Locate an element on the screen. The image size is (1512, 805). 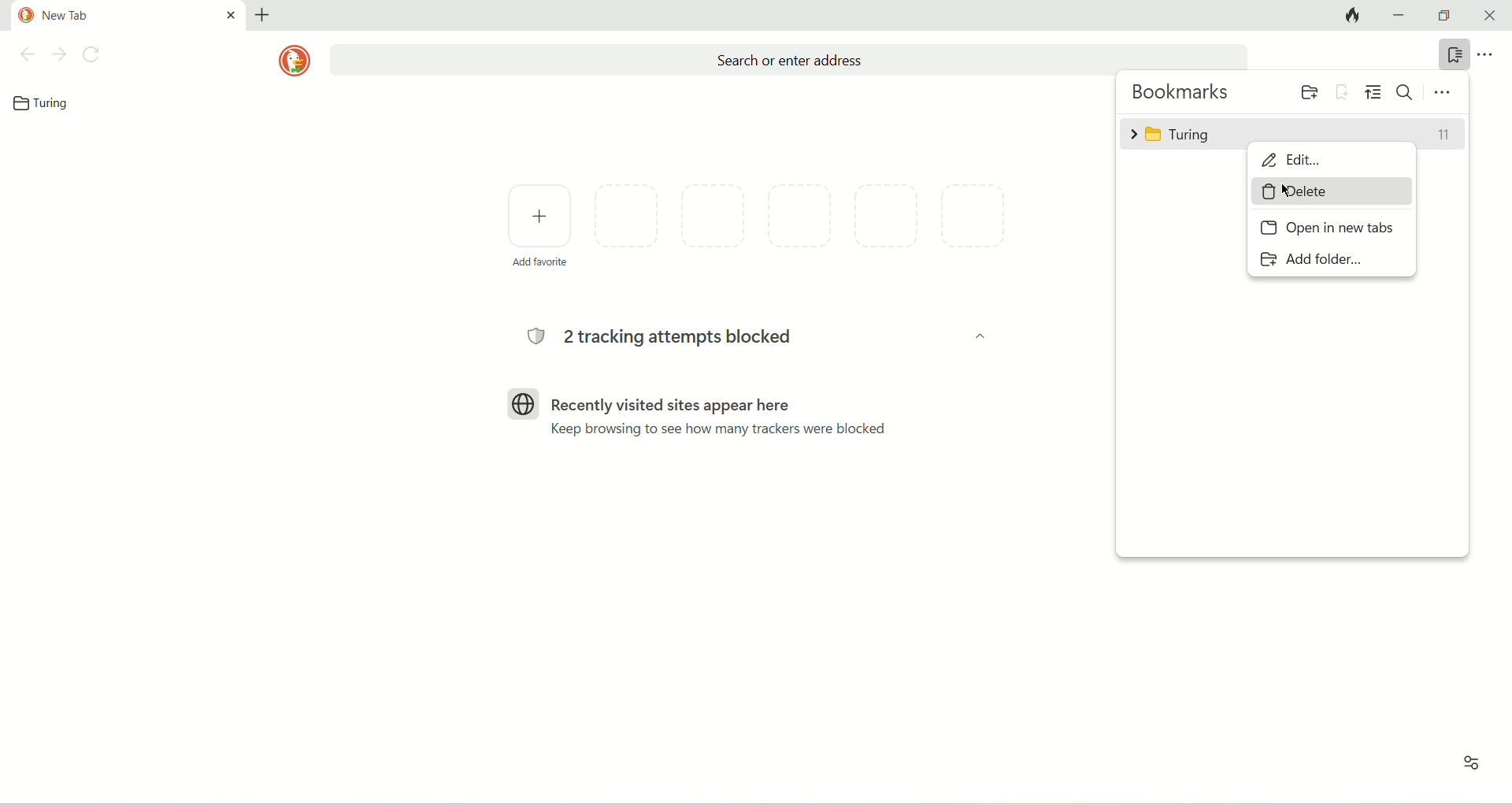
add favorite is located at coordinates (539, 224).